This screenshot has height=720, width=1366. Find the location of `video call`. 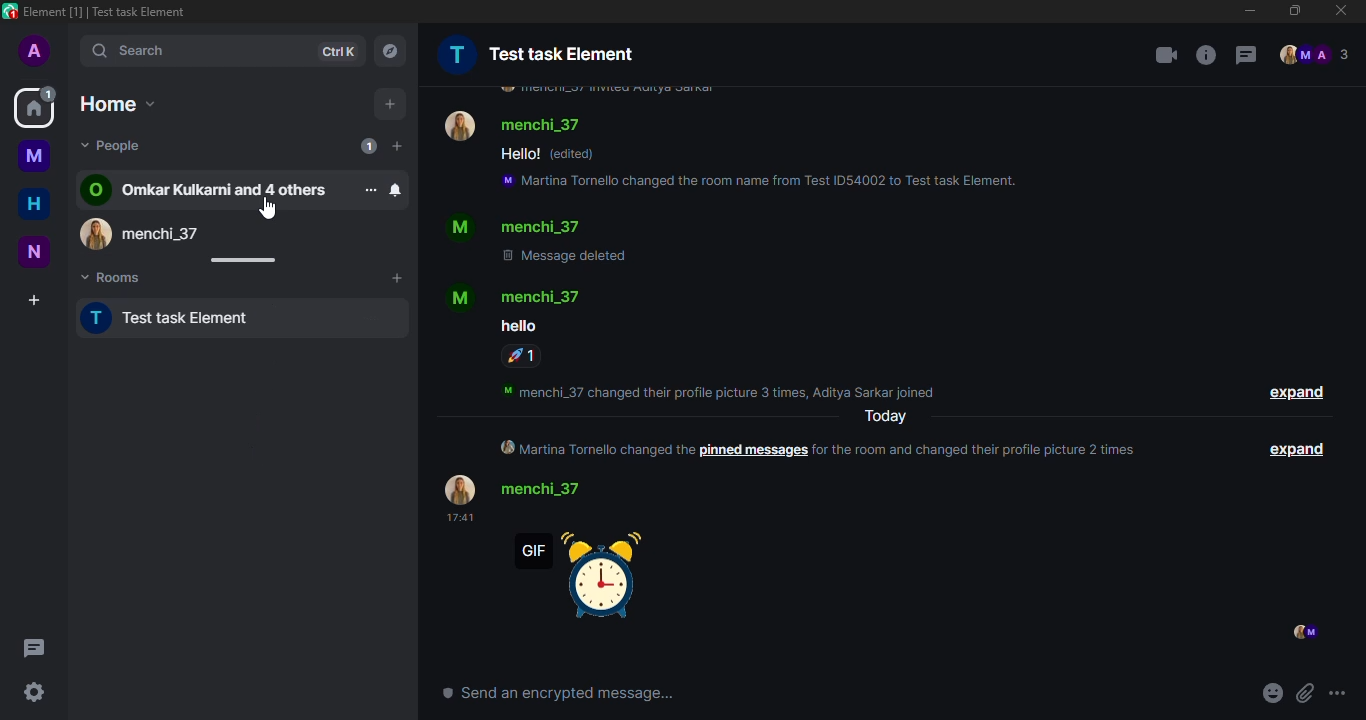

video call is located at coordinates (1159, 53).